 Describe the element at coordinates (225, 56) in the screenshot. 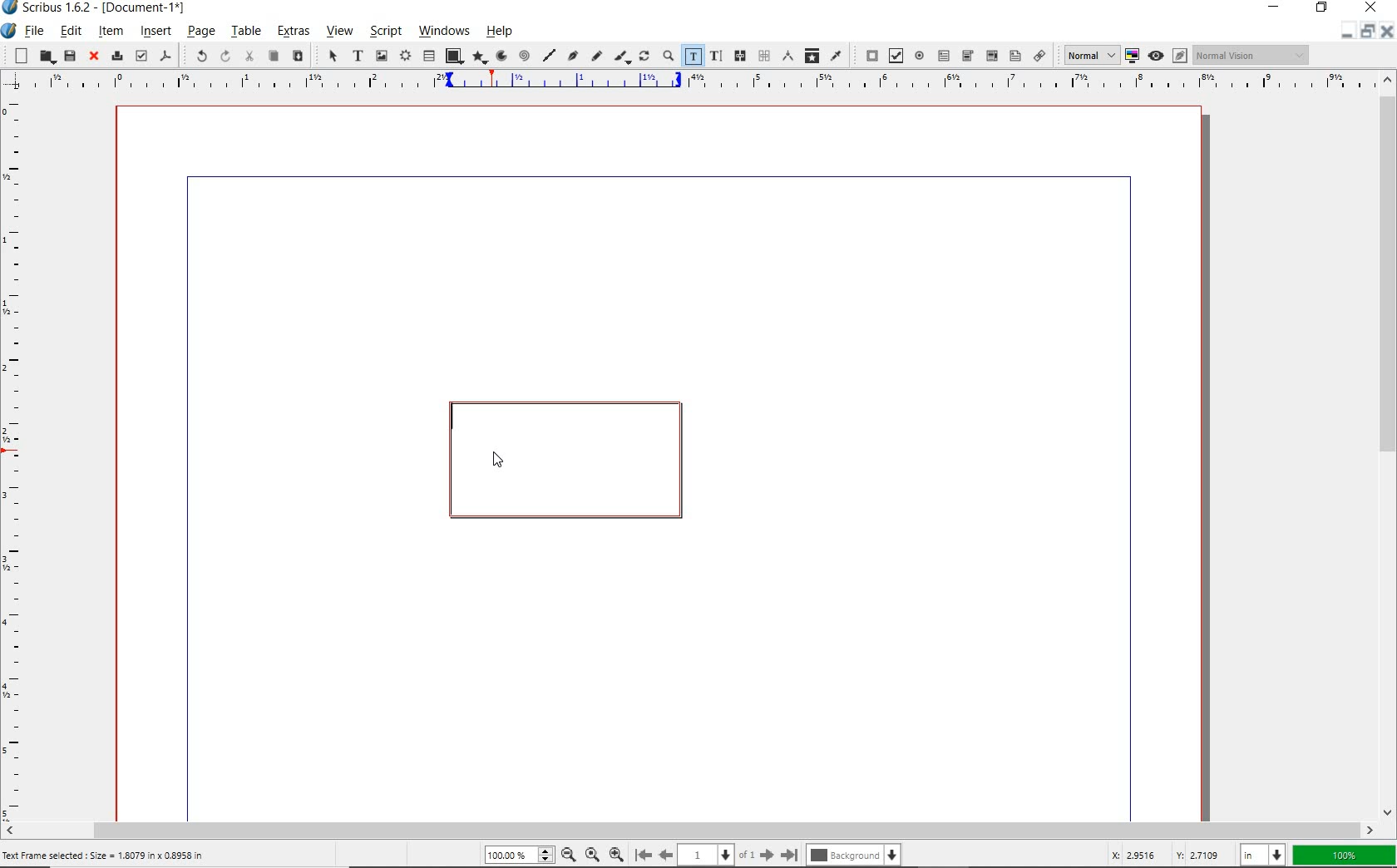

I see `redo` at that location.